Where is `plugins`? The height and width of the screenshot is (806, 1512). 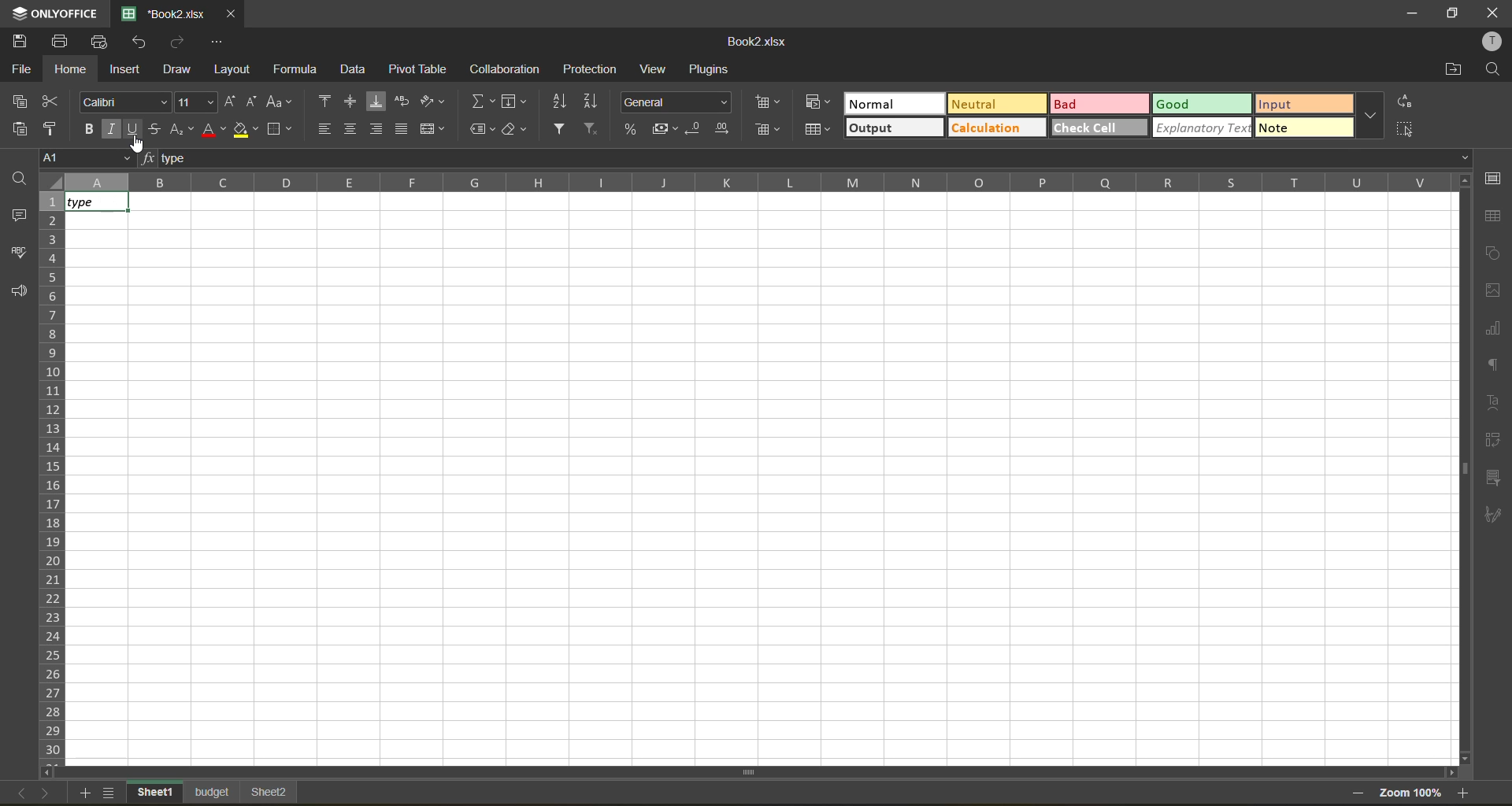 plugins is located at coordinates (712, 70).